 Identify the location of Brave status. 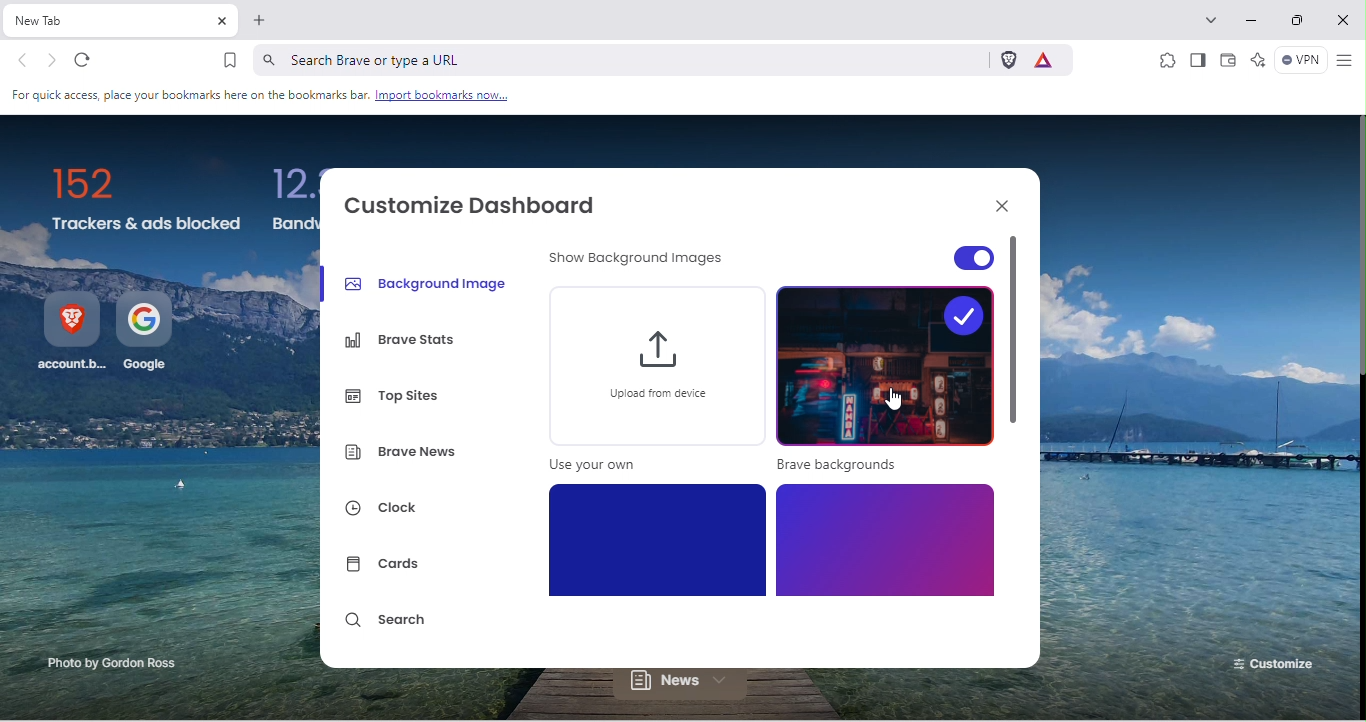
(404, 341).